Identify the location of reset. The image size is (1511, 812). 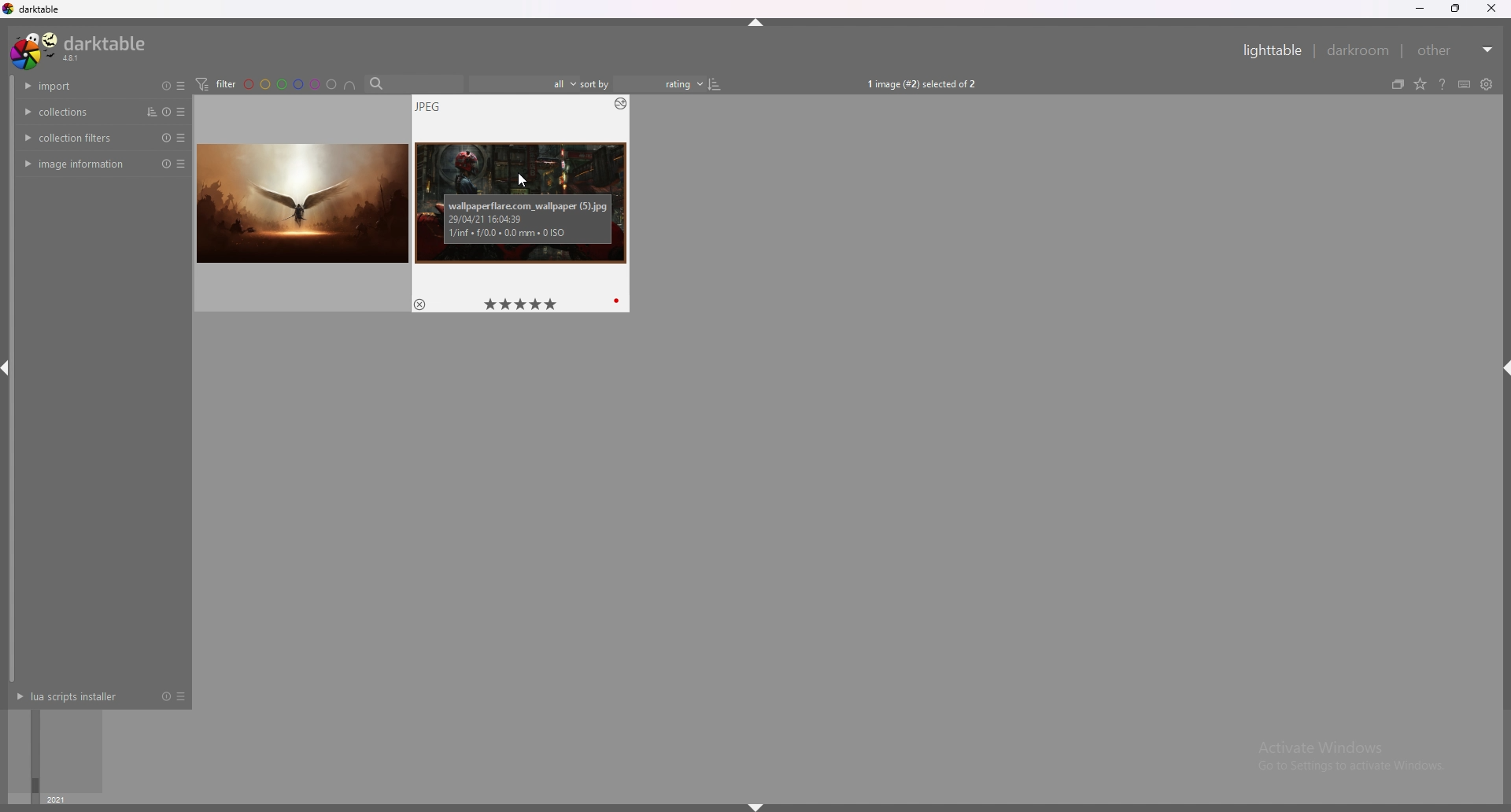
(166, 696).